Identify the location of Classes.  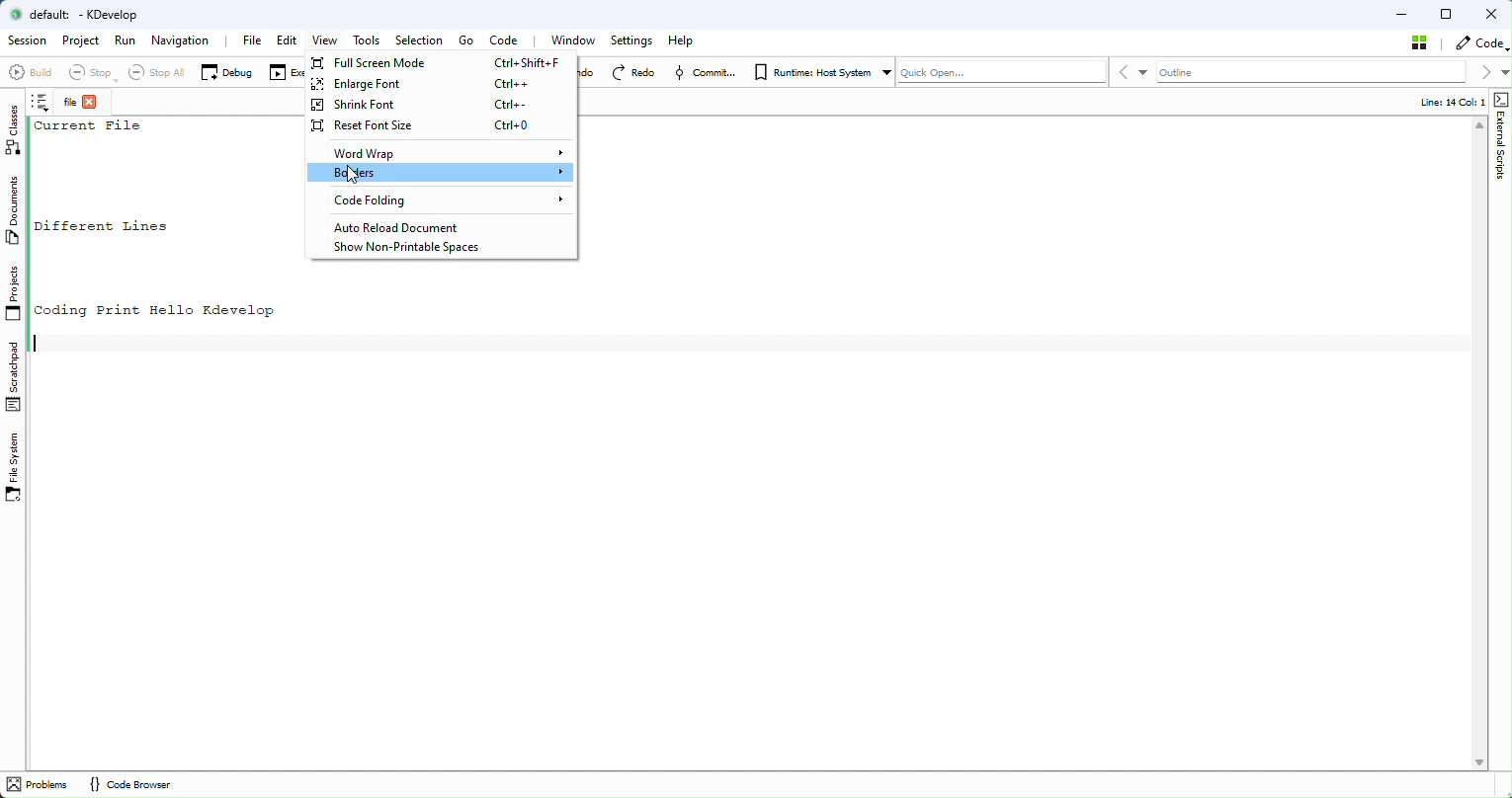
(17, 130).